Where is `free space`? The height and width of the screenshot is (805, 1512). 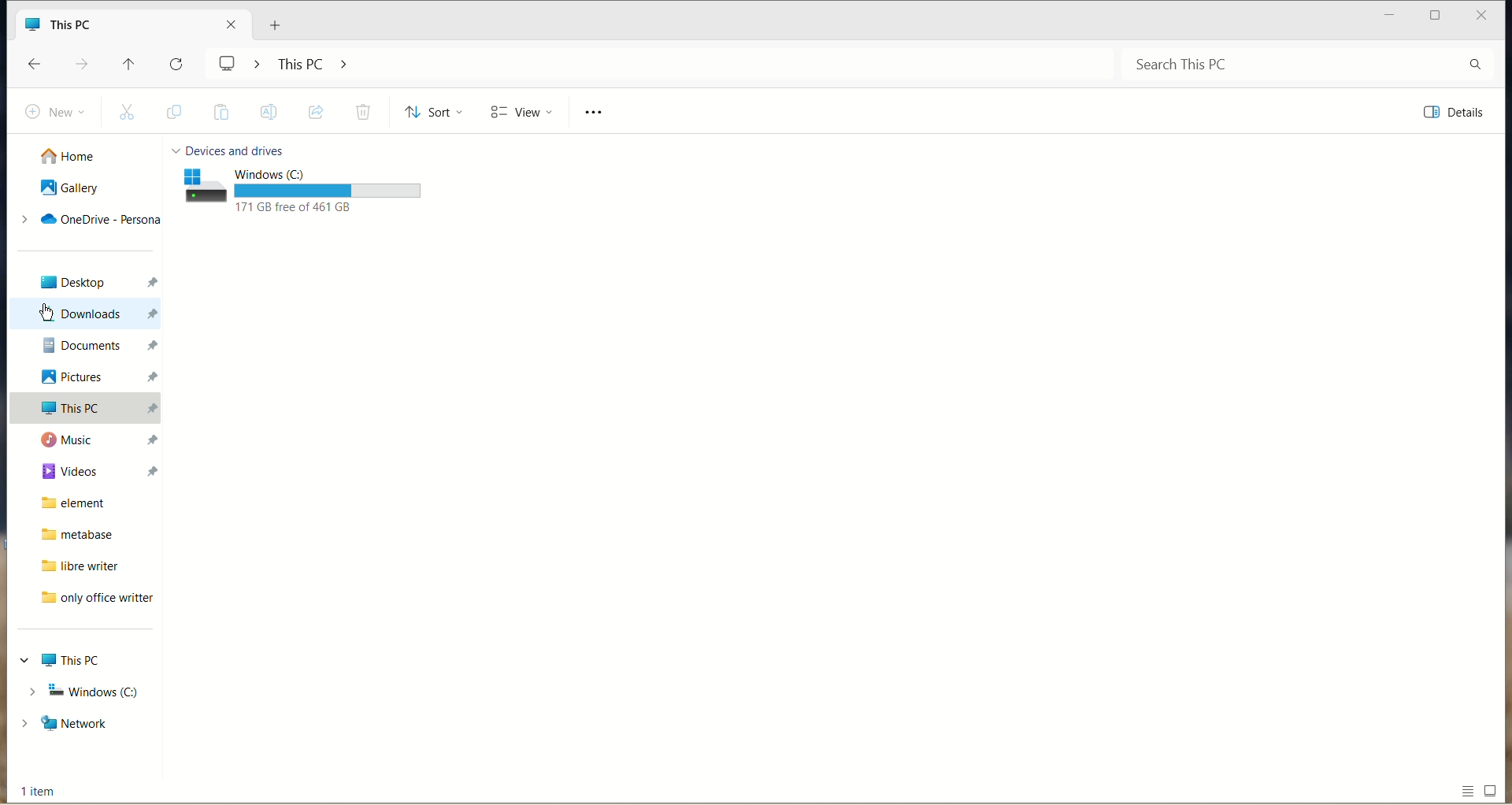
free space is located at coordinates (312, 208).